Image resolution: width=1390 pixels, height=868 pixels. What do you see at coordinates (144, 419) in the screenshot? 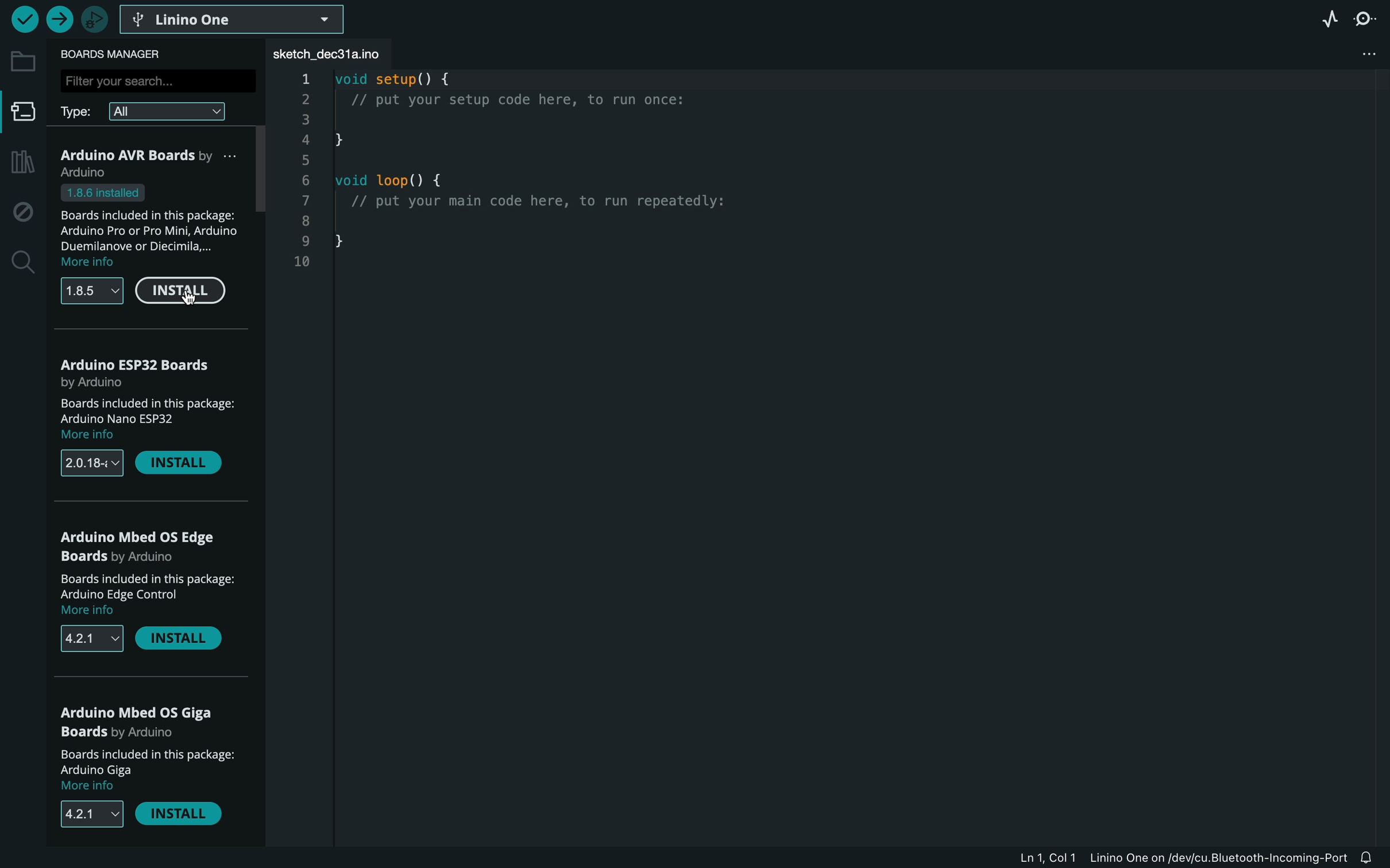
I see `description` at bounding box center [144, 419].